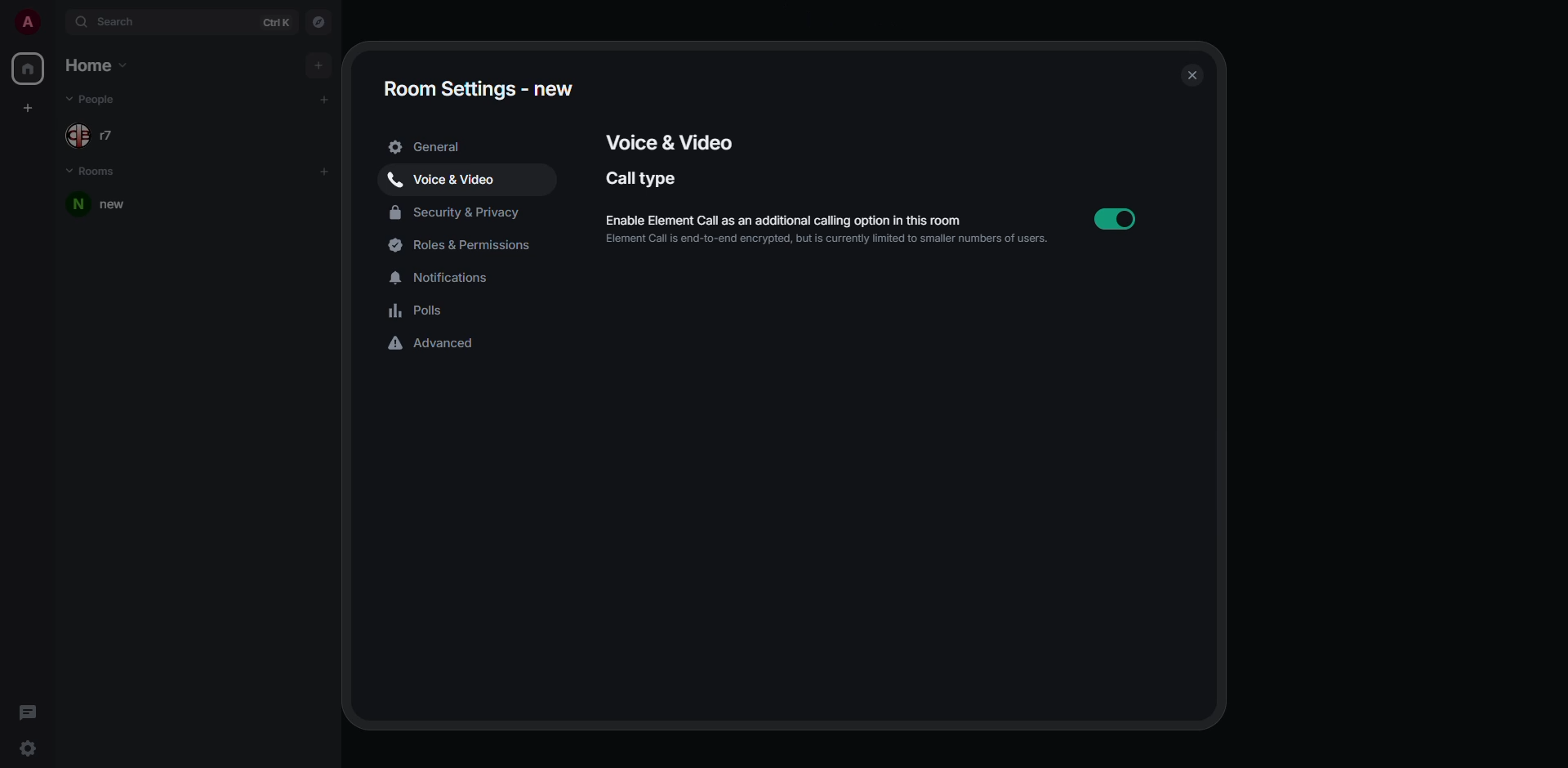  I want to click on navigator, so click(319, 23).